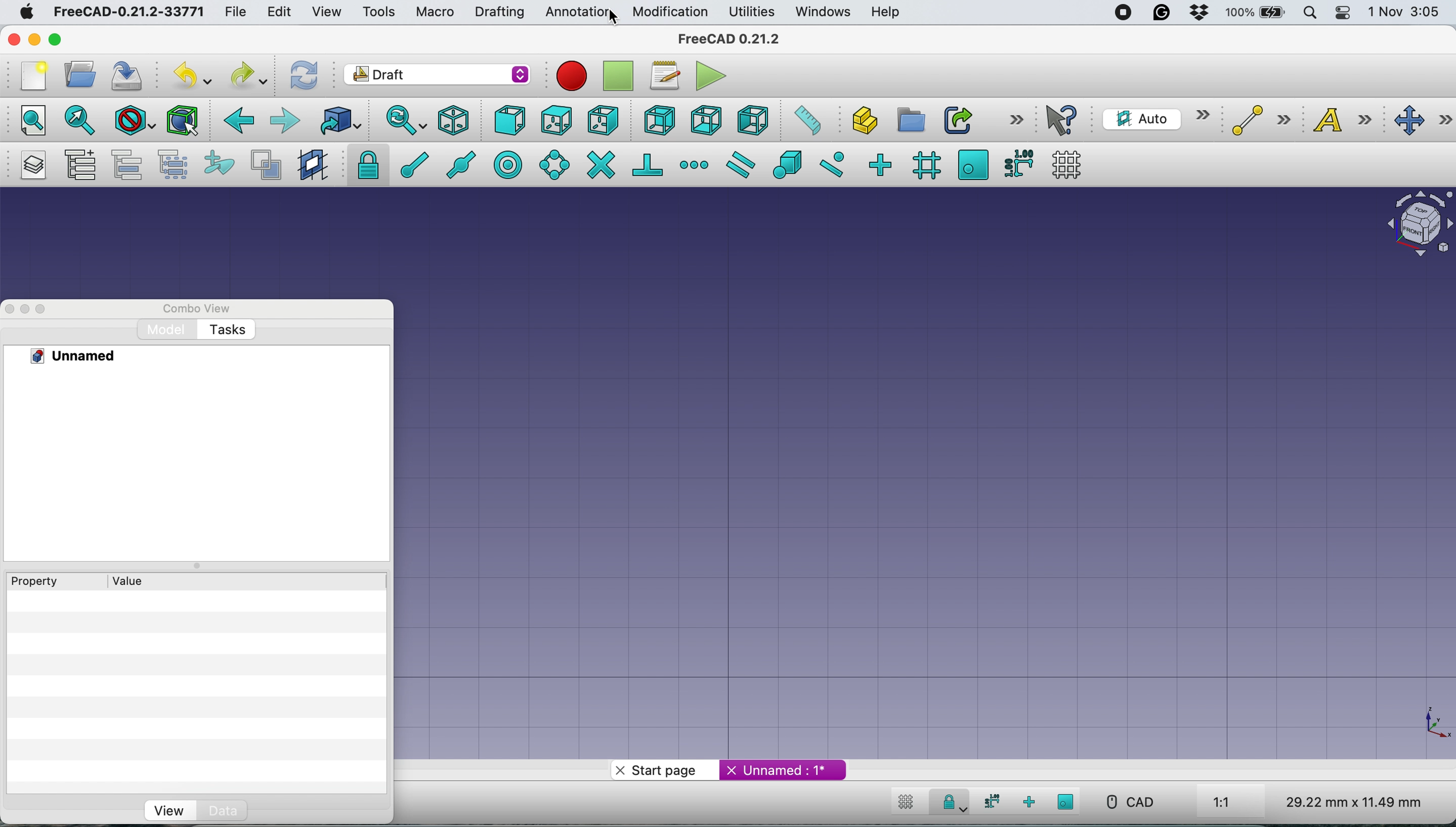 The image size is (1456, 827). What do you see at coordinates (405, 120) in the screenshot?
I see `sync view` at bounding box center [405, 120].